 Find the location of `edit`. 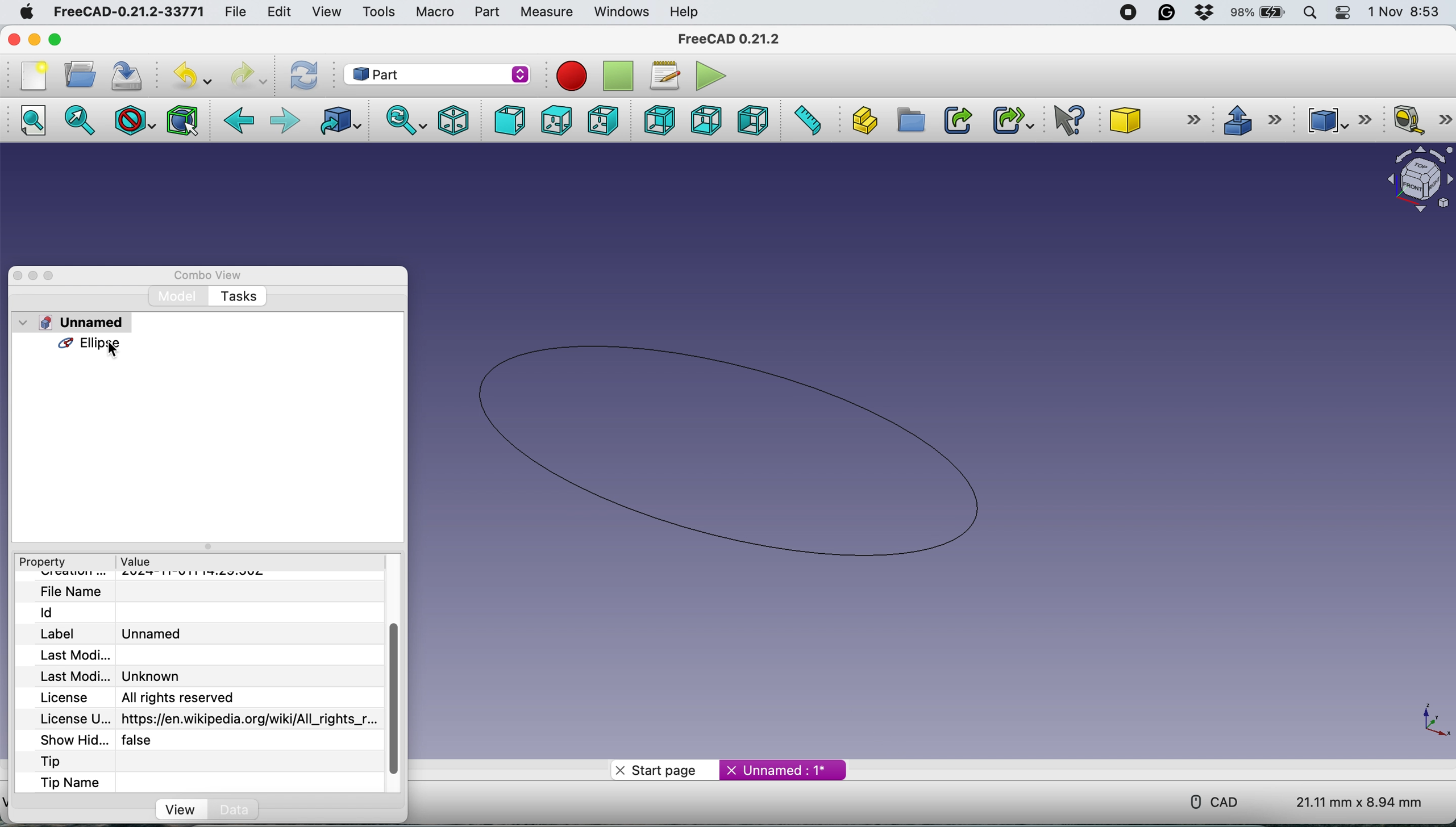

edit is located at coordinates (279, 14).